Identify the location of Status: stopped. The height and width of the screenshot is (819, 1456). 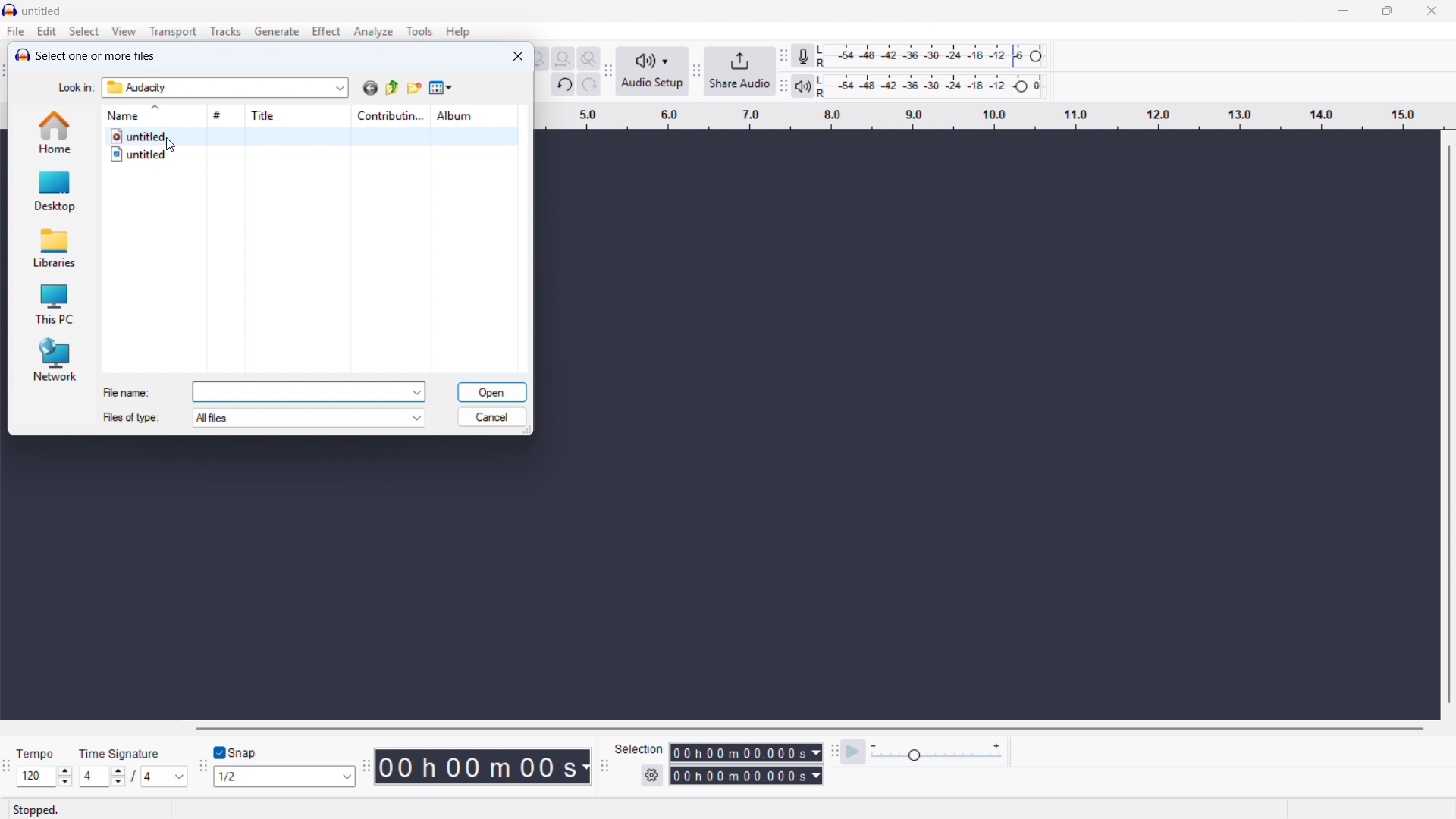
(36, 810).